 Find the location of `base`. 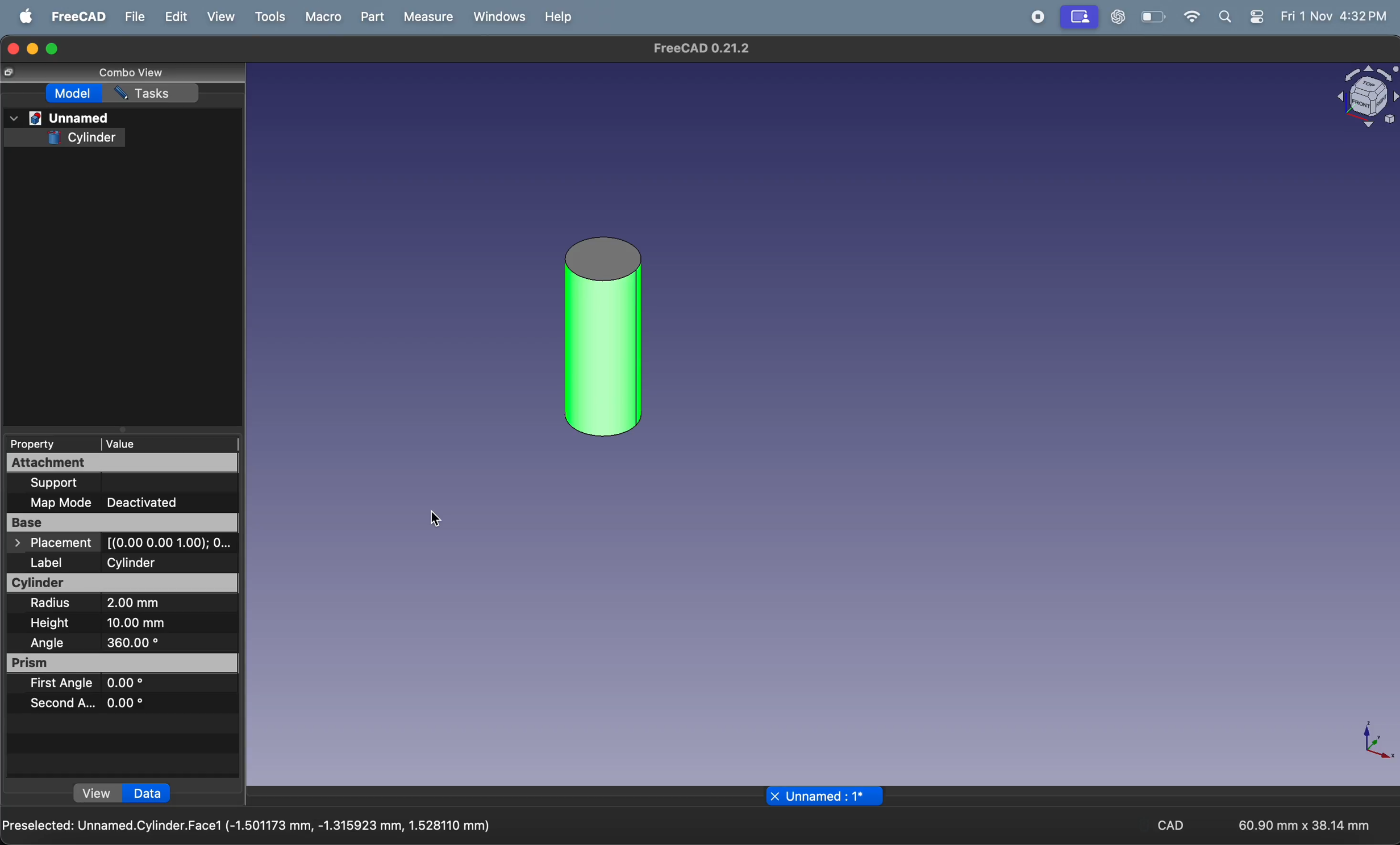

base is located at coordinates (120, 523).